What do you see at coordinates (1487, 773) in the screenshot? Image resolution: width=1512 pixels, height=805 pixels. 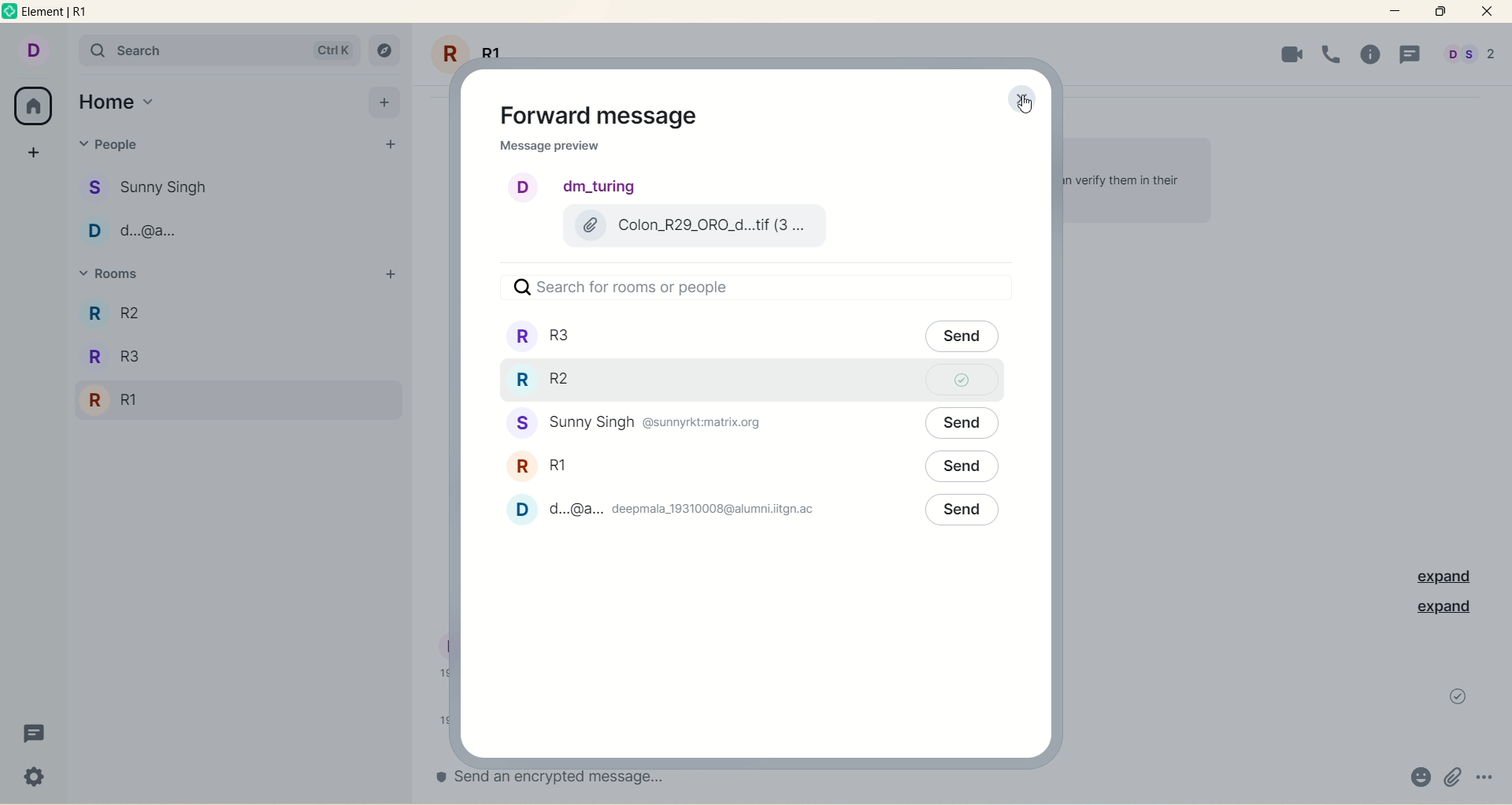 I see `options` at bounding box center [1487, 773].